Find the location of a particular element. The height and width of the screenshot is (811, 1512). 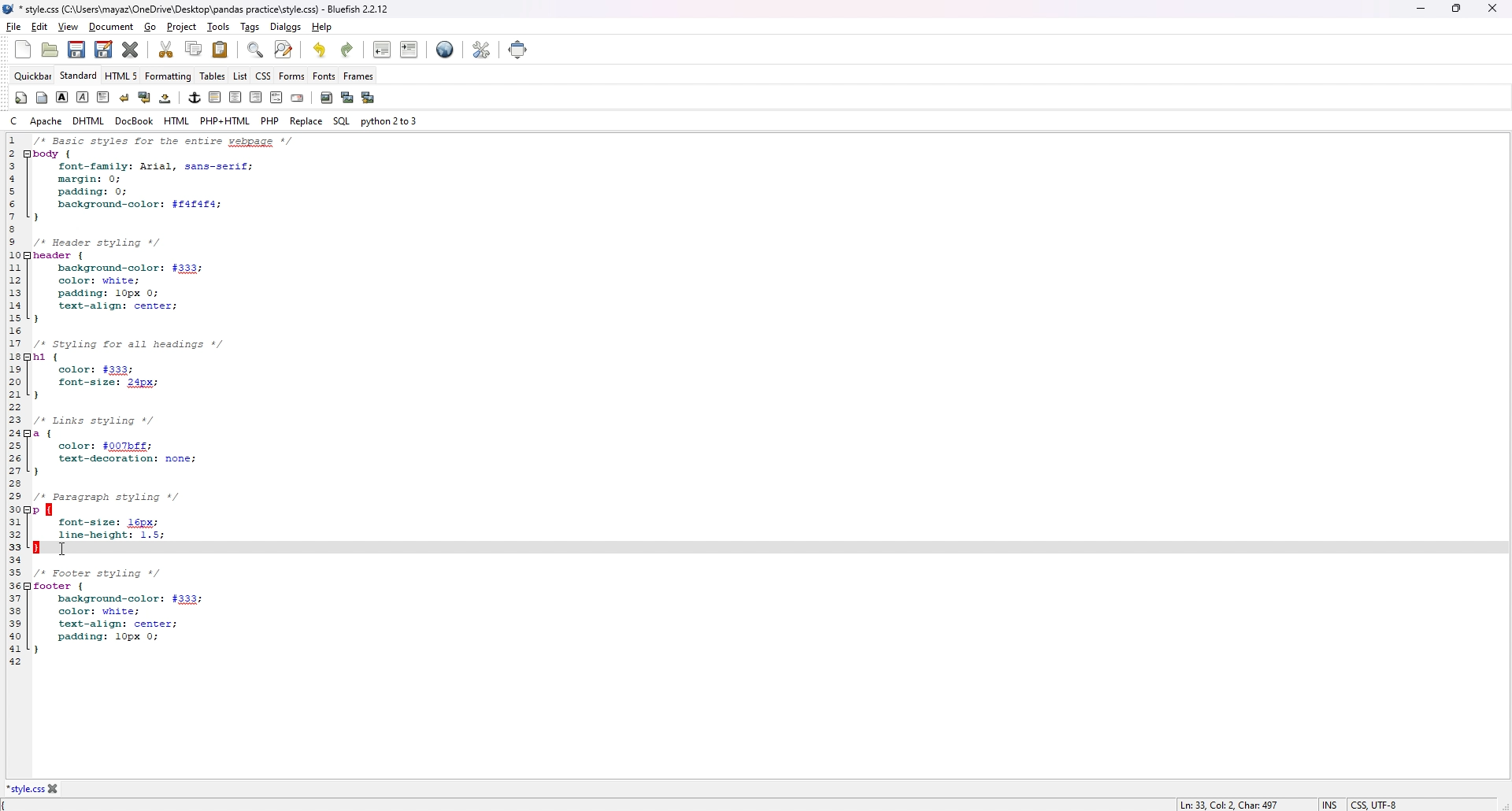

insert image is located at coordinates (328, 98).